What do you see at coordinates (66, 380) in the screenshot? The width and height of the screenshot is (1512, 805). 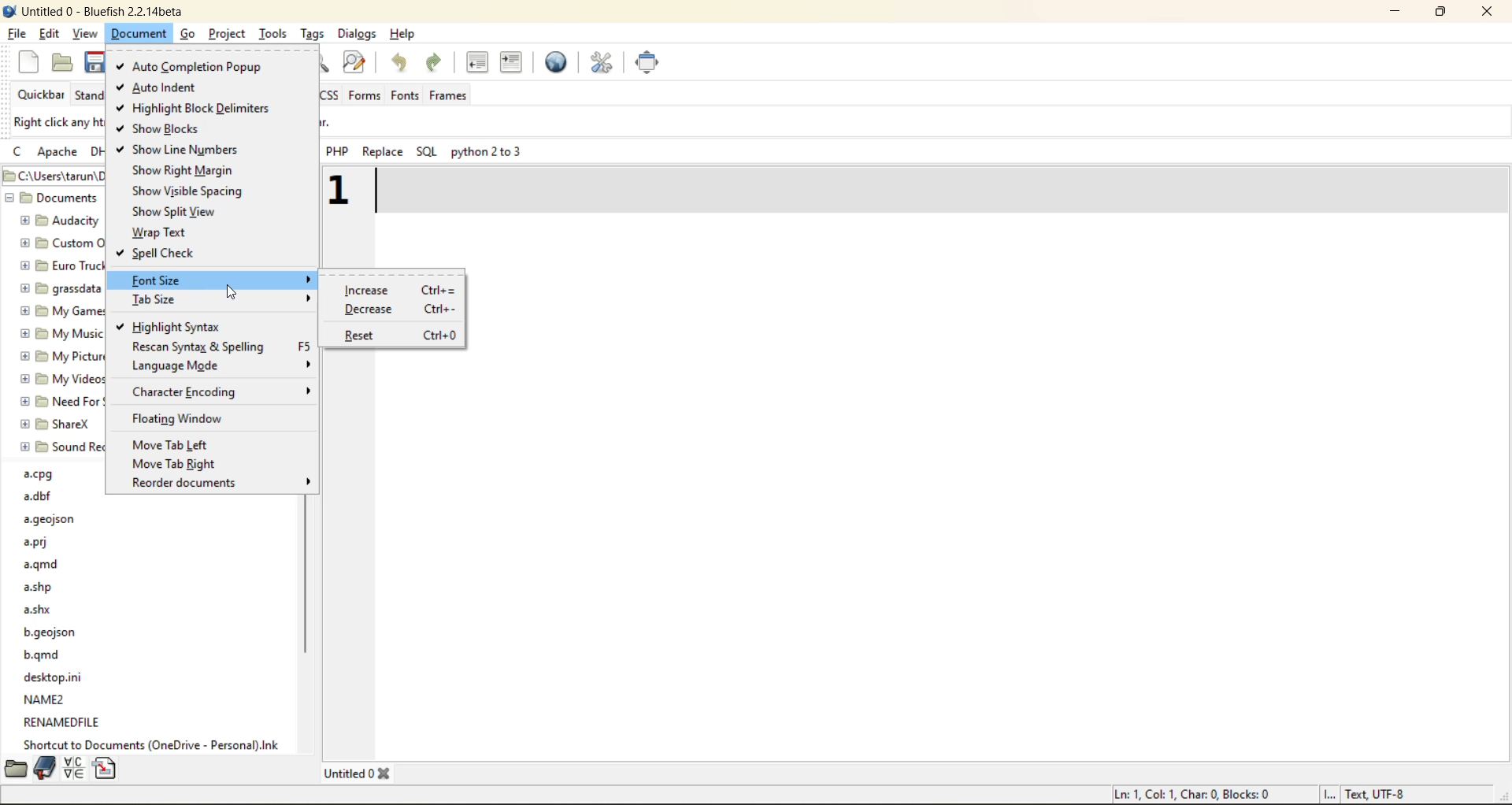 I see `my videos` at bounding box center [66, 380].